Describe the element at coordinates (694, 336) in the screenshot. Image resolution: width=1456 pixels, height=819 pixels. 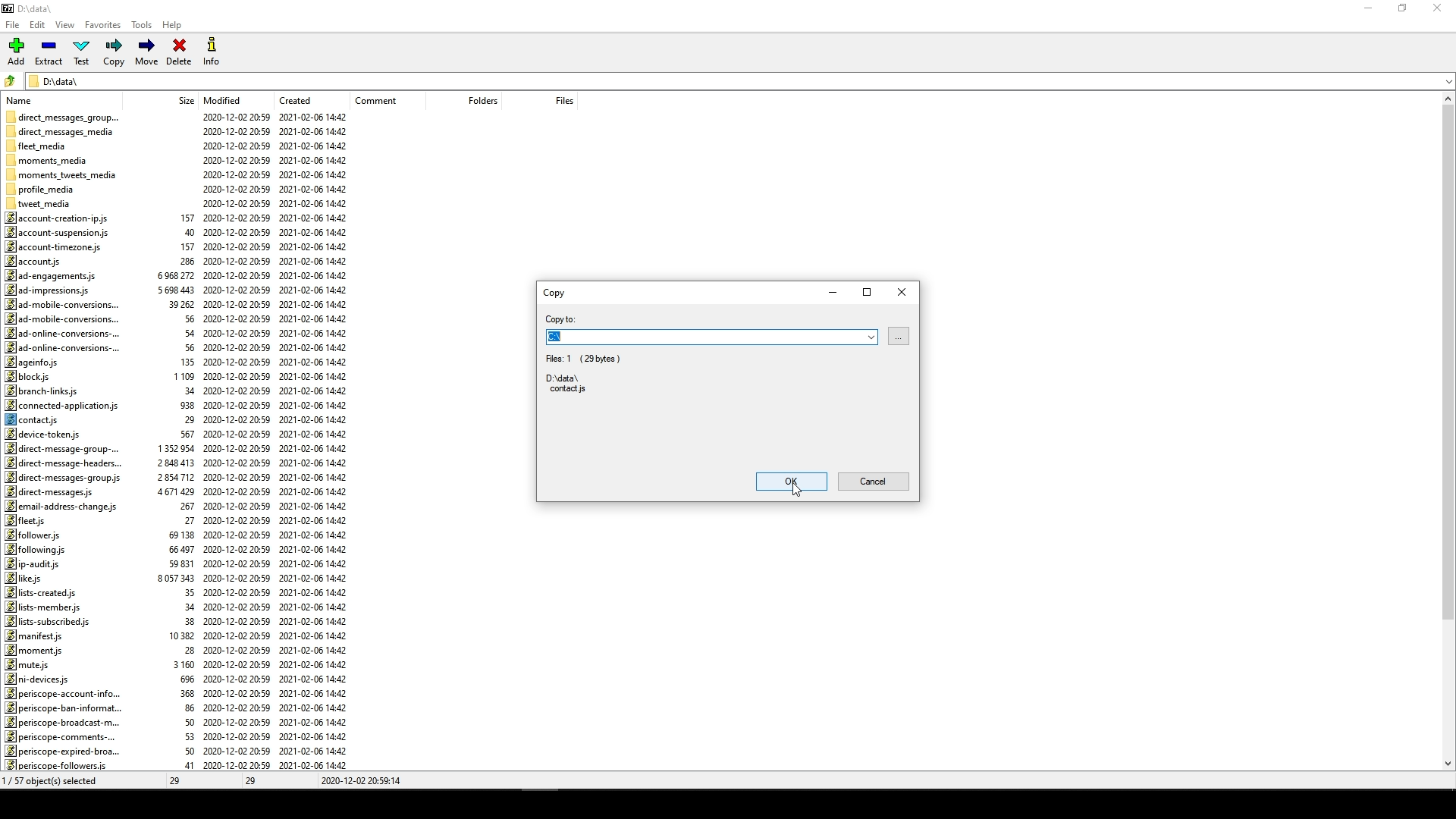
I see `D:\data\` at that location.